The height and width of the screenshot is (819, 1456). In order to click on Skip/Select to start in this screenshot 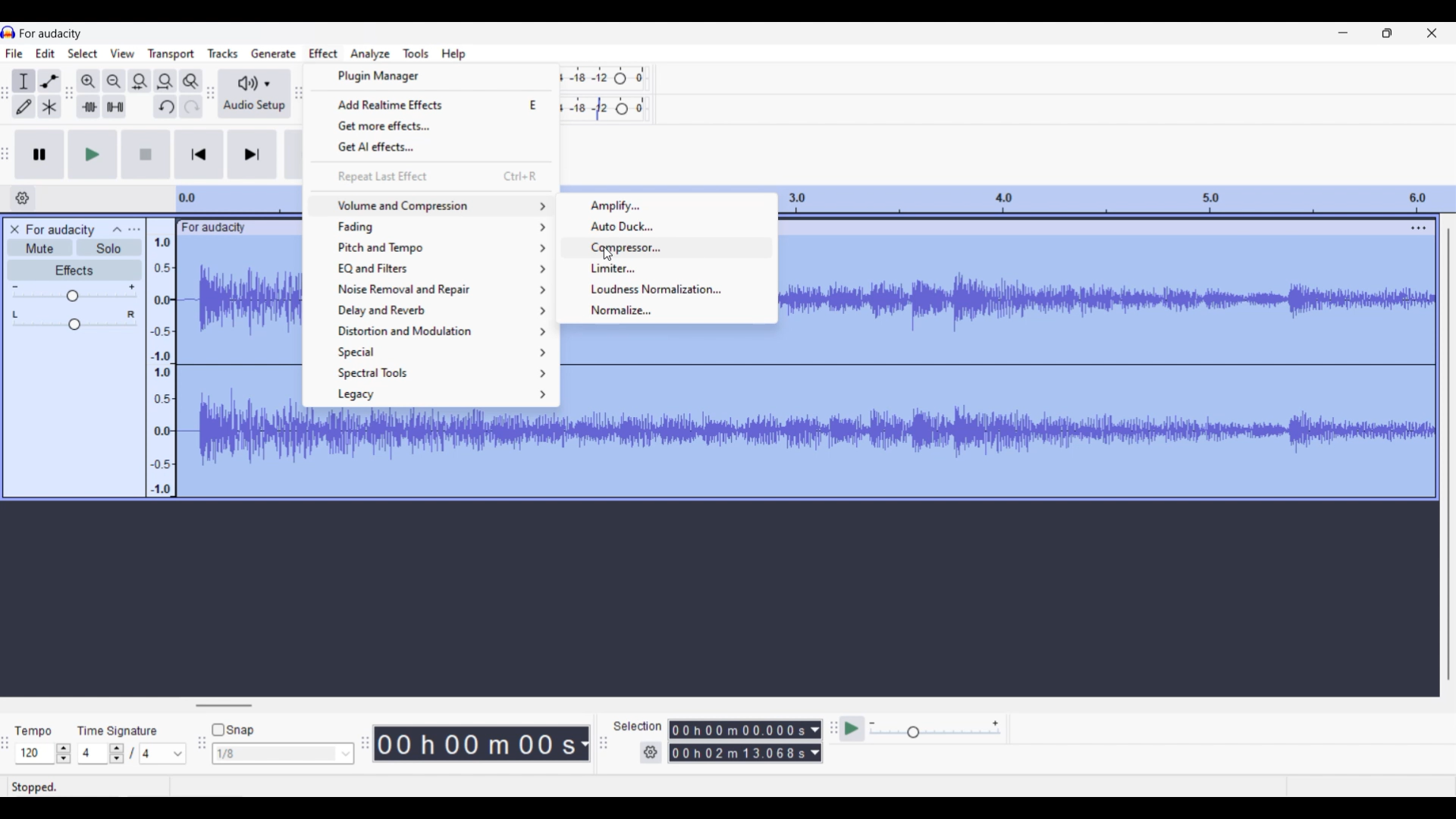, I will do `click(199, 155)`.